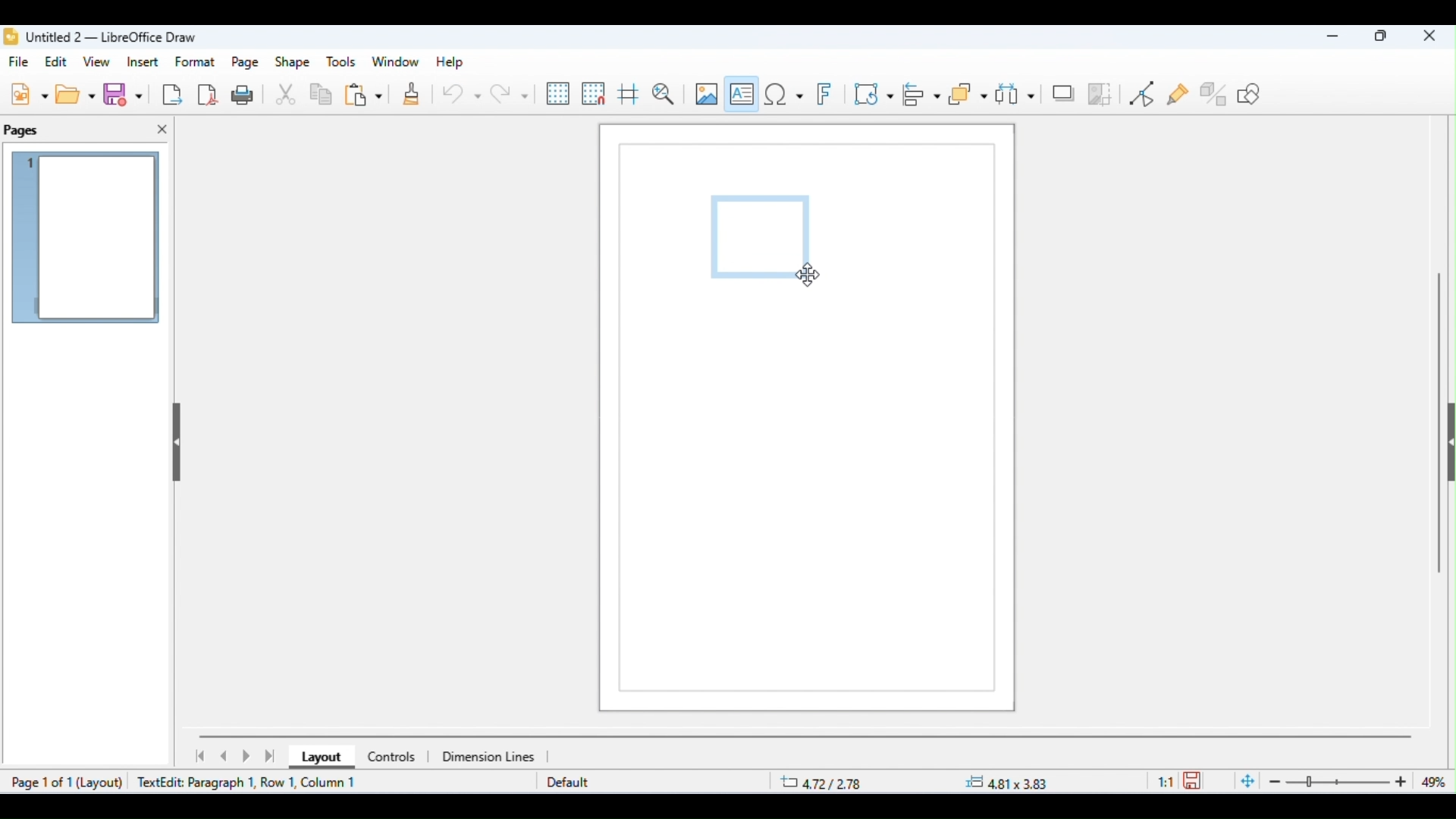 Image resolution: width=1456 pixels, height=819 pixels. I want to click on maximize, so click(1382, 38).